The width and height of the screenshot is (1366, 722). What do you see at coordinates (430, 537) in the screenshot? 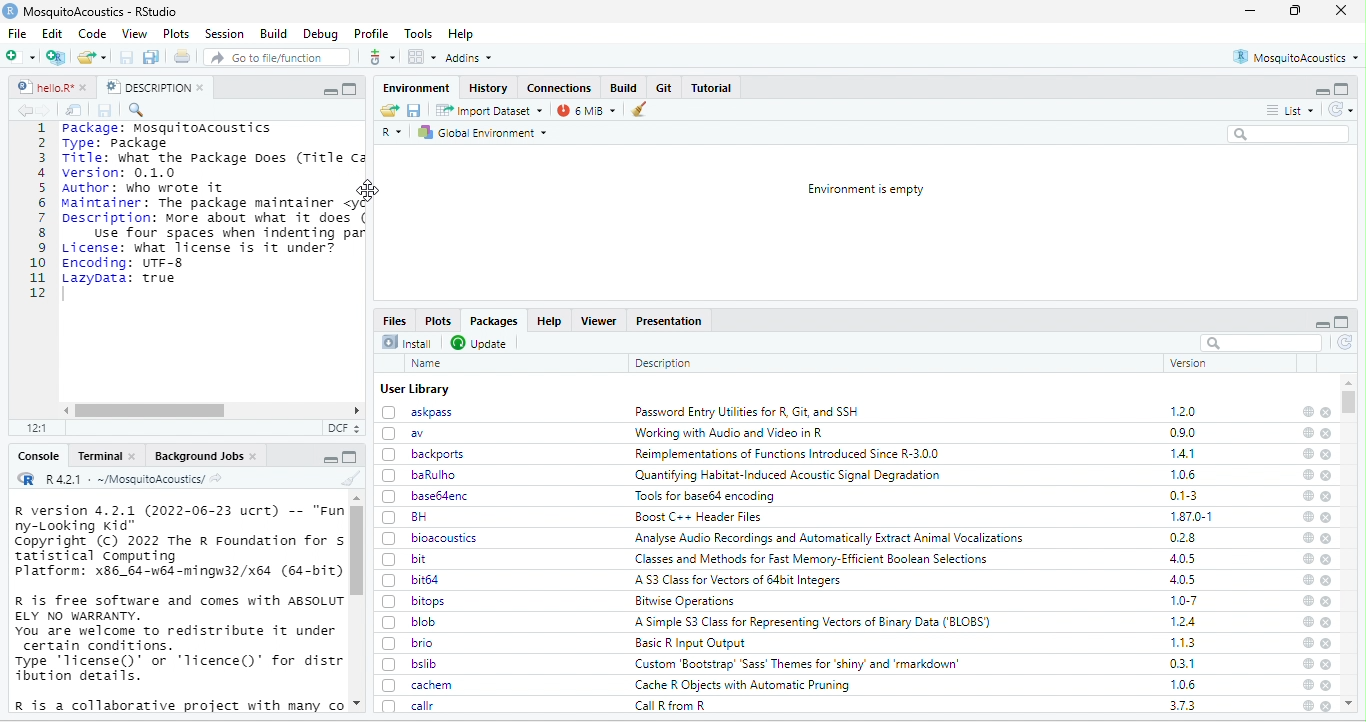
I see `bioacoustics` at bounding box center [430, 537].